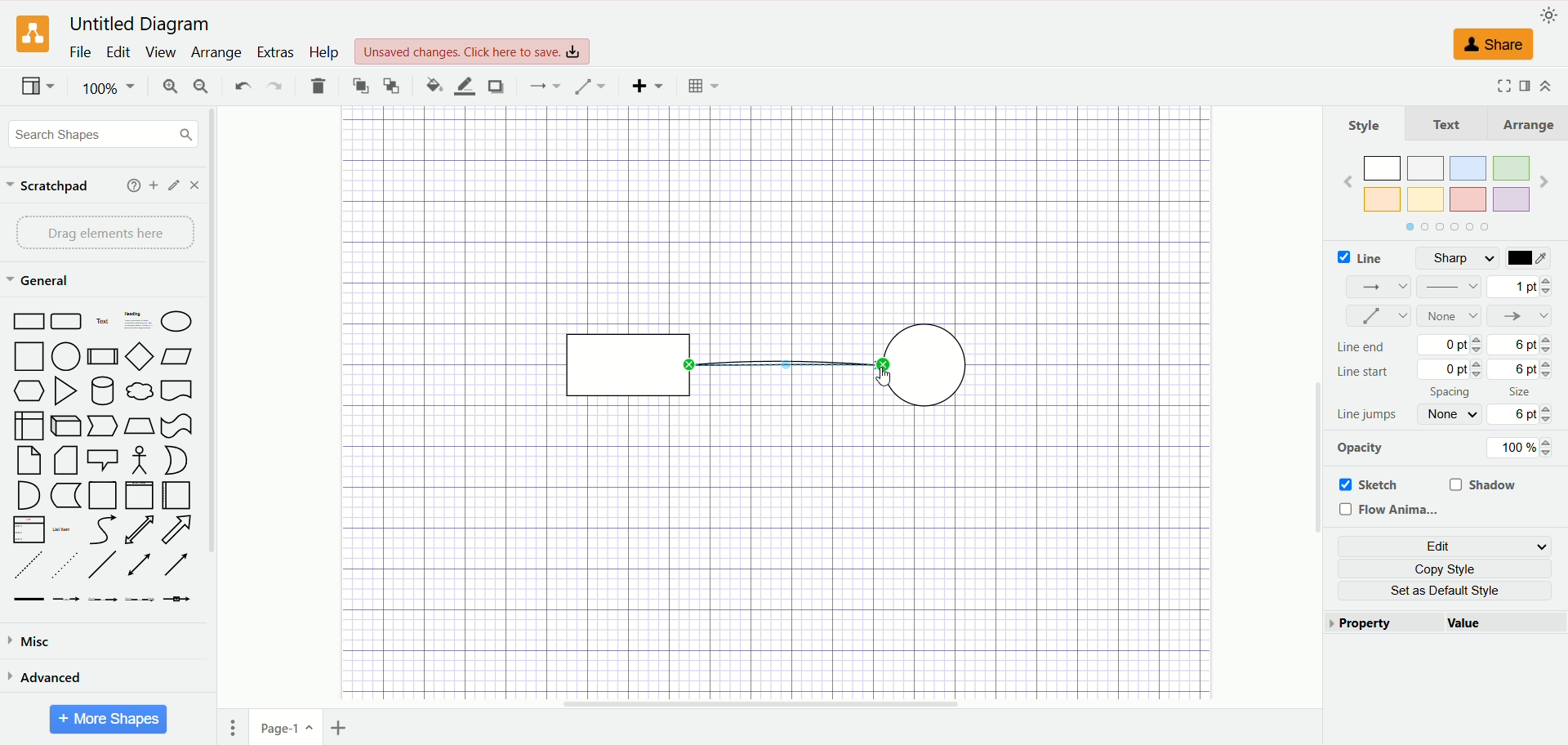  What do you see at coordinates (1521, 343) in the screenshot?
I see `6 pt` at bounding box center [1521, 343].